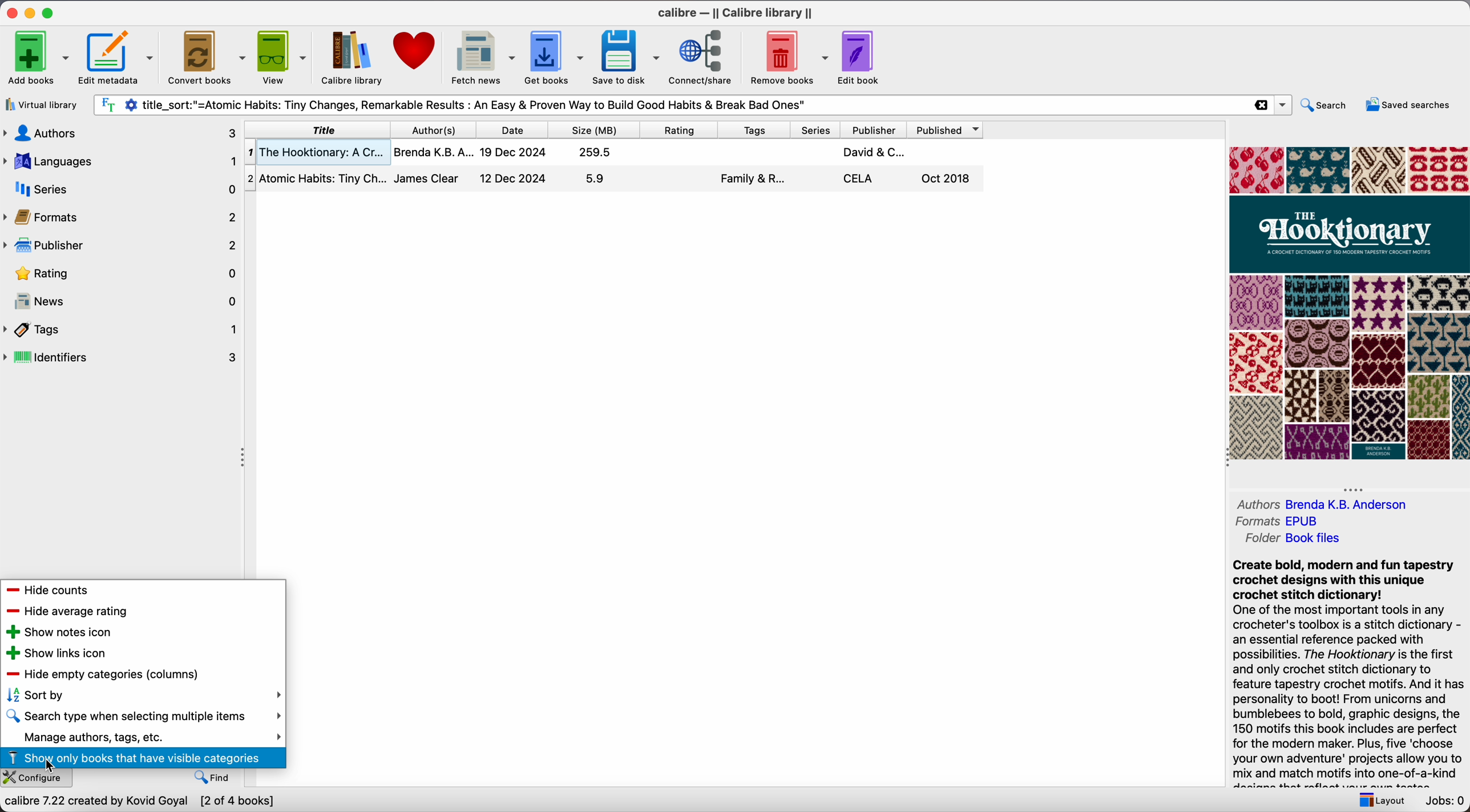  I want to click on 12 Dec 2024, so click(515, 177).